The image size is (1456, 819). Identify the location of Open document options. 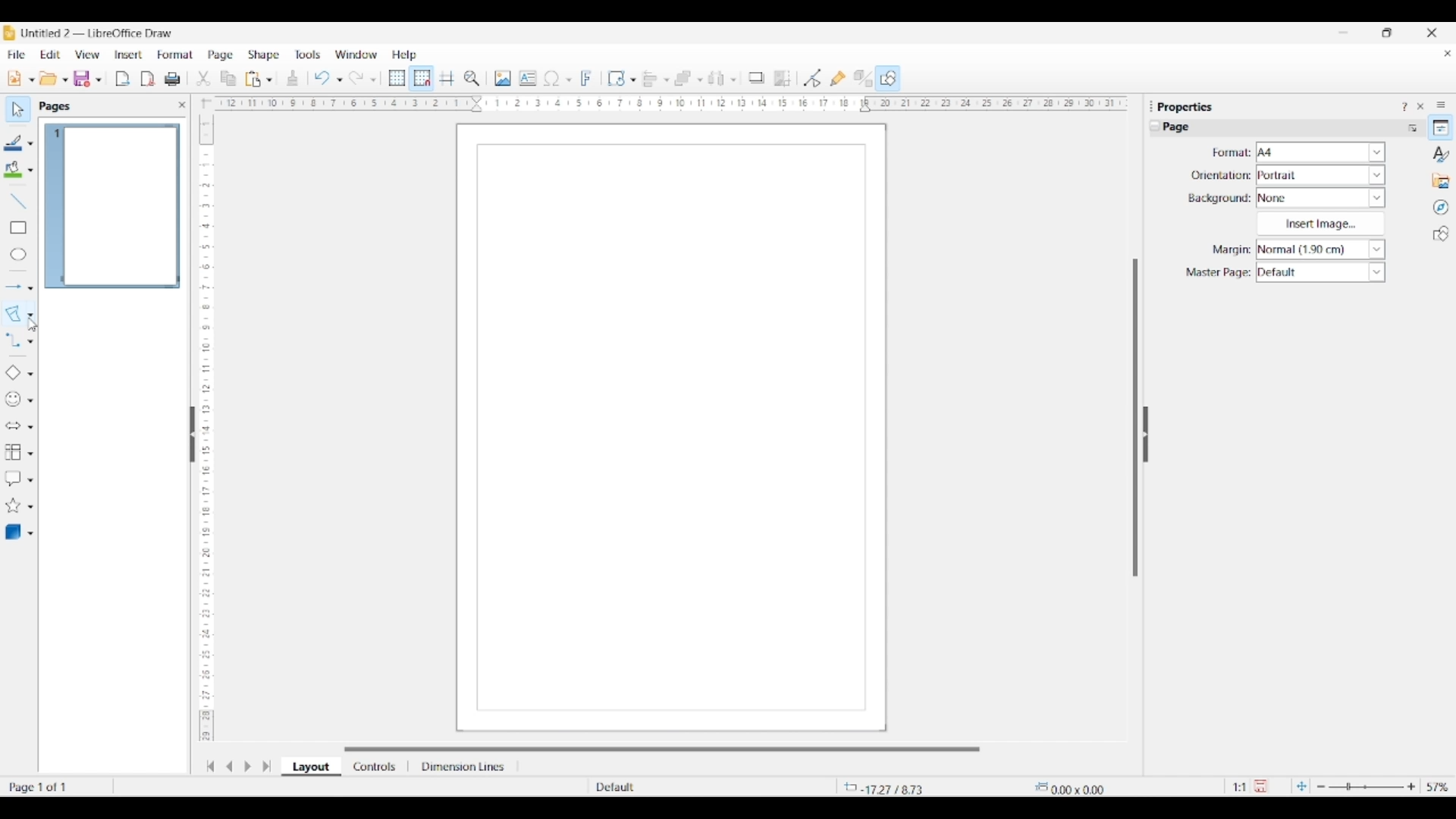
(64, 80).